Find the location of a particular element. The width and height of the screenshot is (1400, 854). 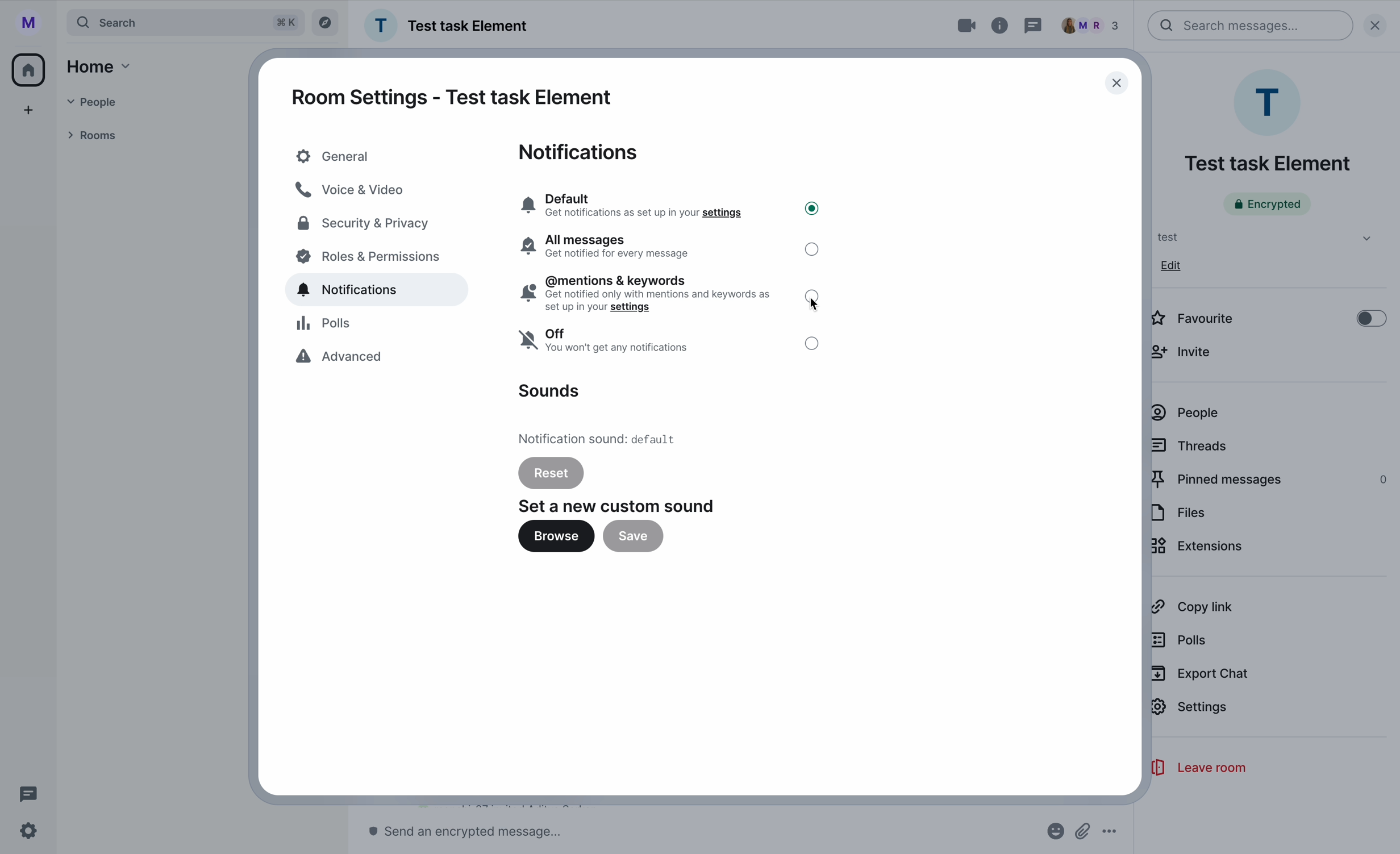

general is located at coordinates (374, 156).